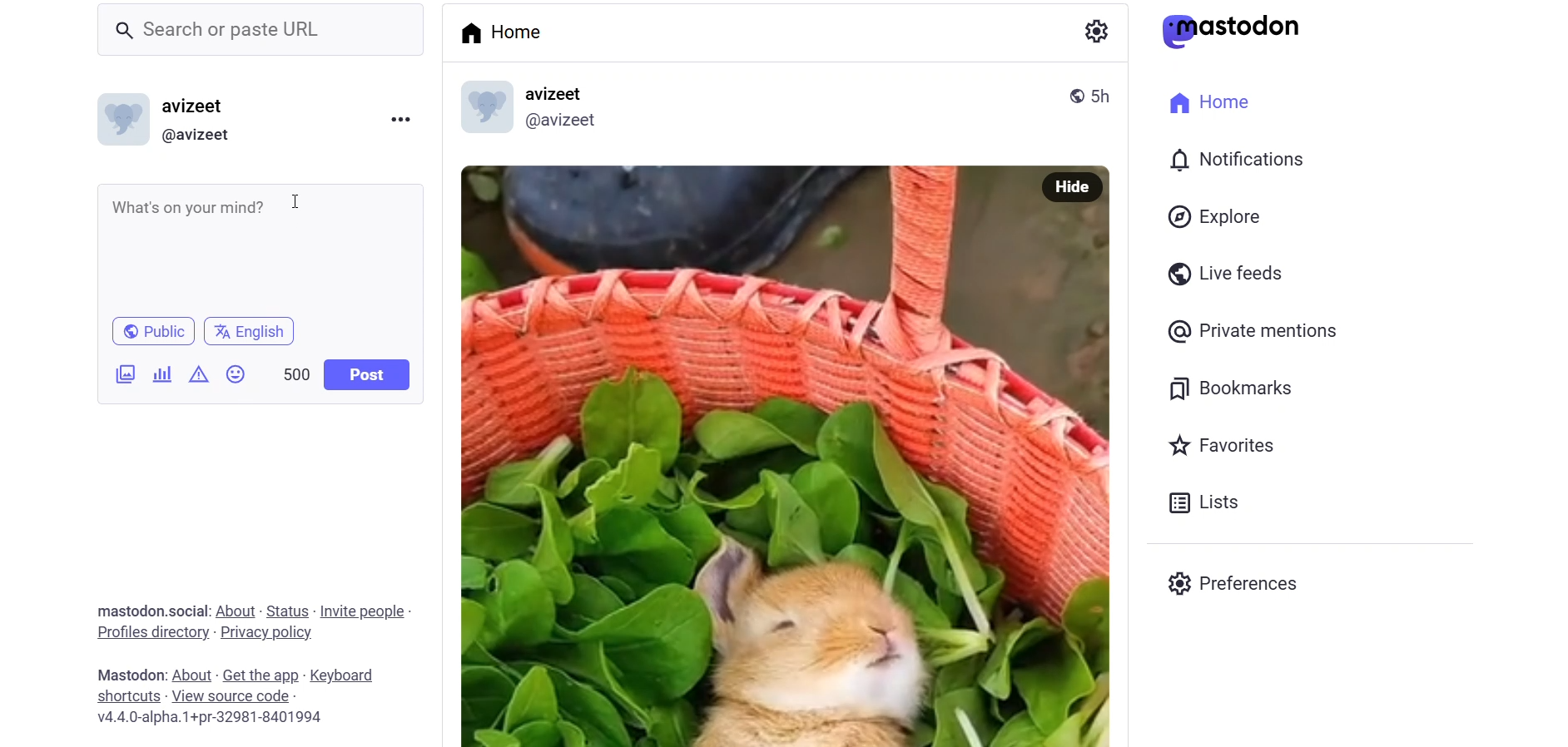 The width and height of the screenshot is (1568, 747). Describe the element at coordinates (1238, 160) in the screenshot. I see `notification` at that location.